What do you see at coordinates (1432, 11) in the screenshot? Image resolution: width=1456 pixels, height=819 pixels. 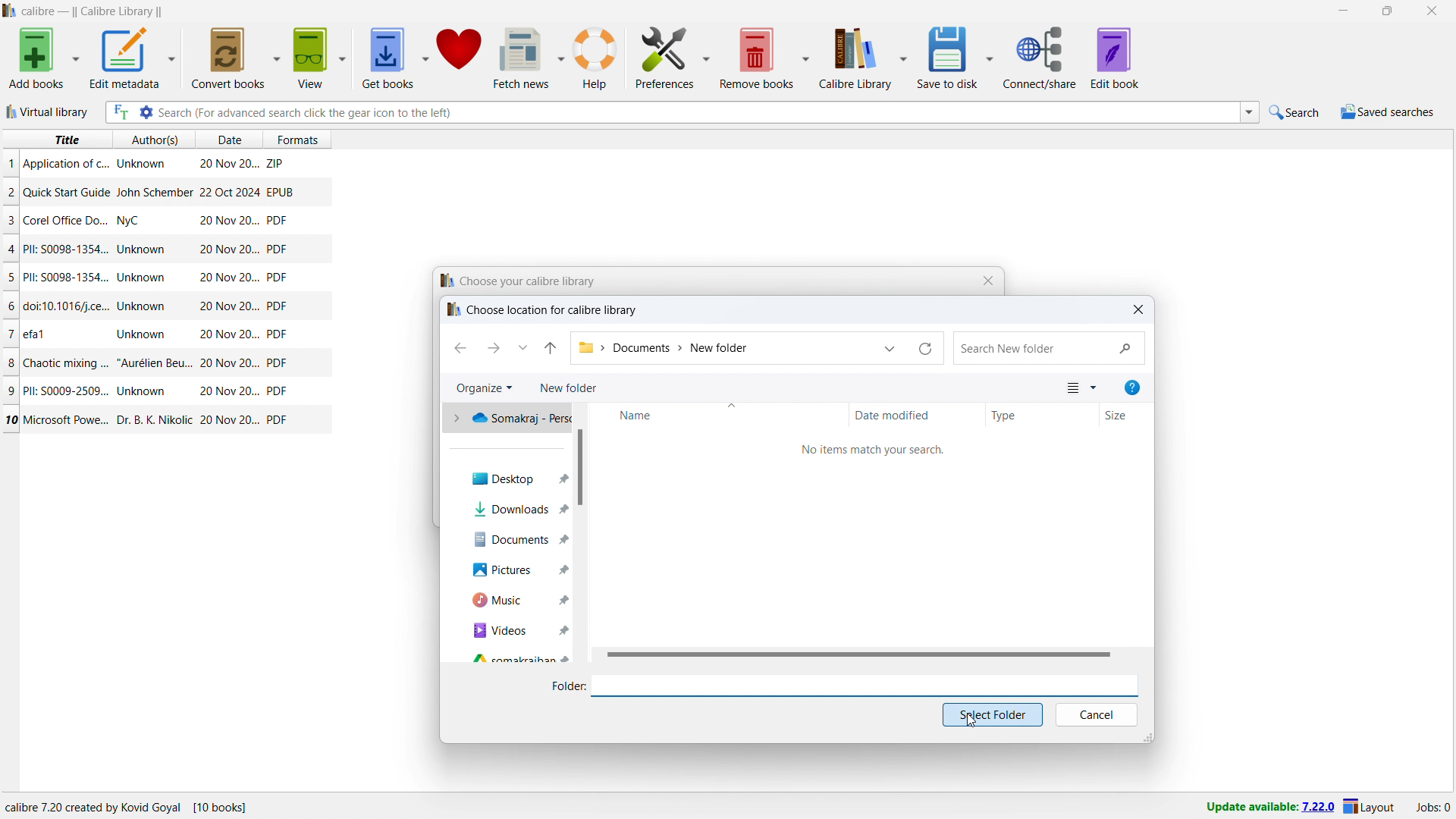 I see `close` at bounding box center [1432, 11].